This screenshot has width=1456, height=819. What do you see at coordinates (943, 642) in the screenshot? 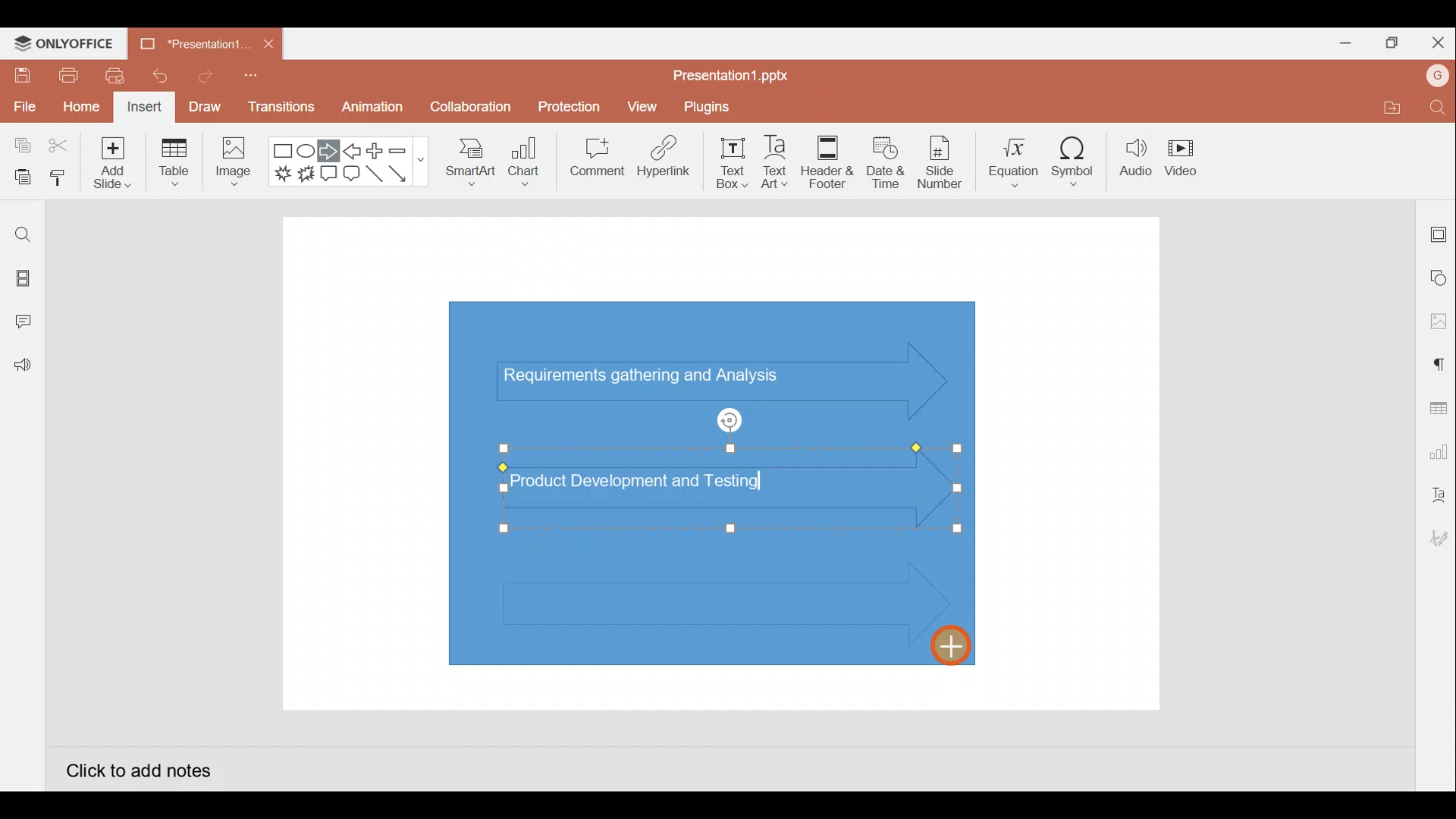
I see `Cursor on 3rd inserted right arrow shape` at bounding box center [943, 642].